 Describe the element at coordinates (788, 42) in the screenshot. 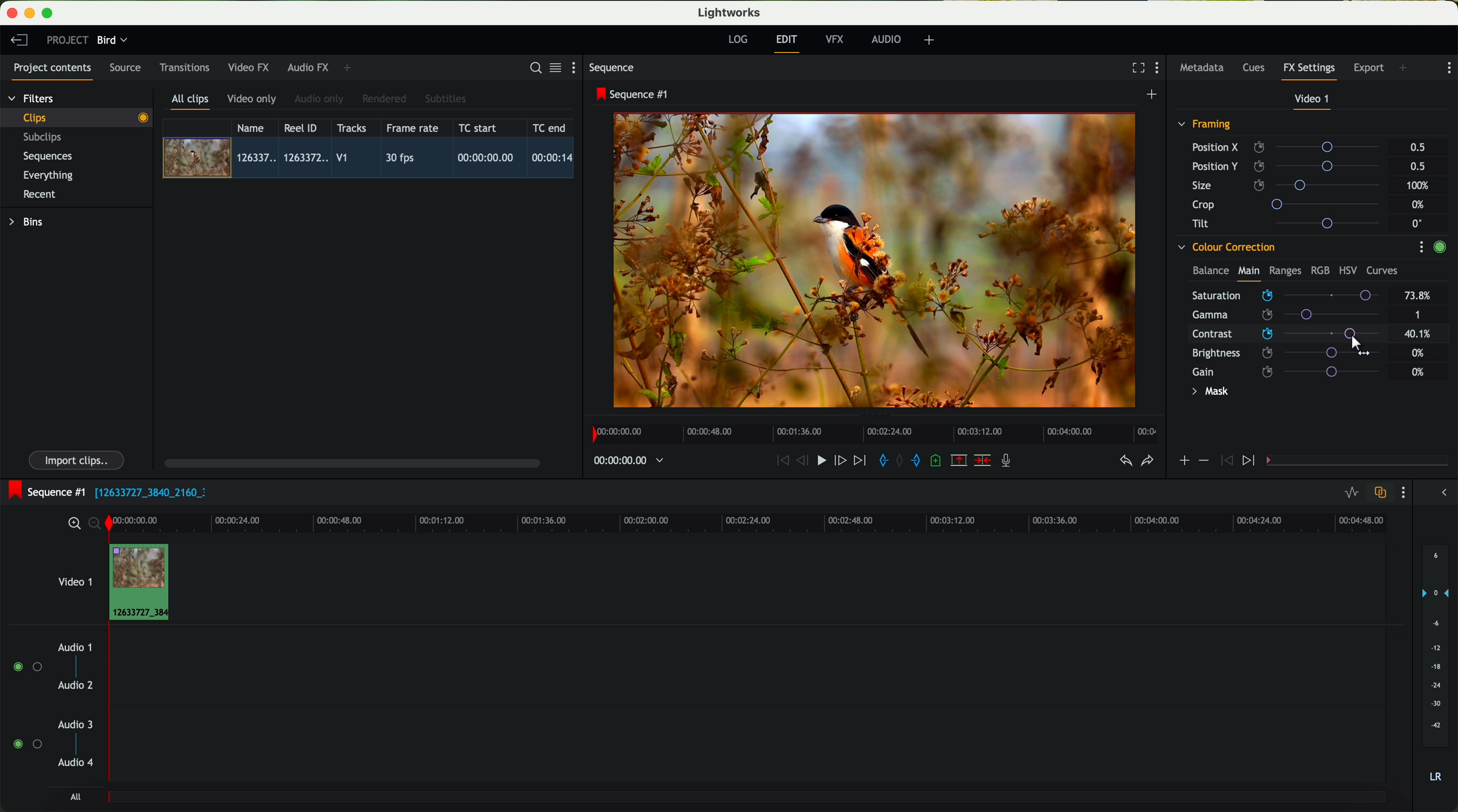

I see `edit` at that location.